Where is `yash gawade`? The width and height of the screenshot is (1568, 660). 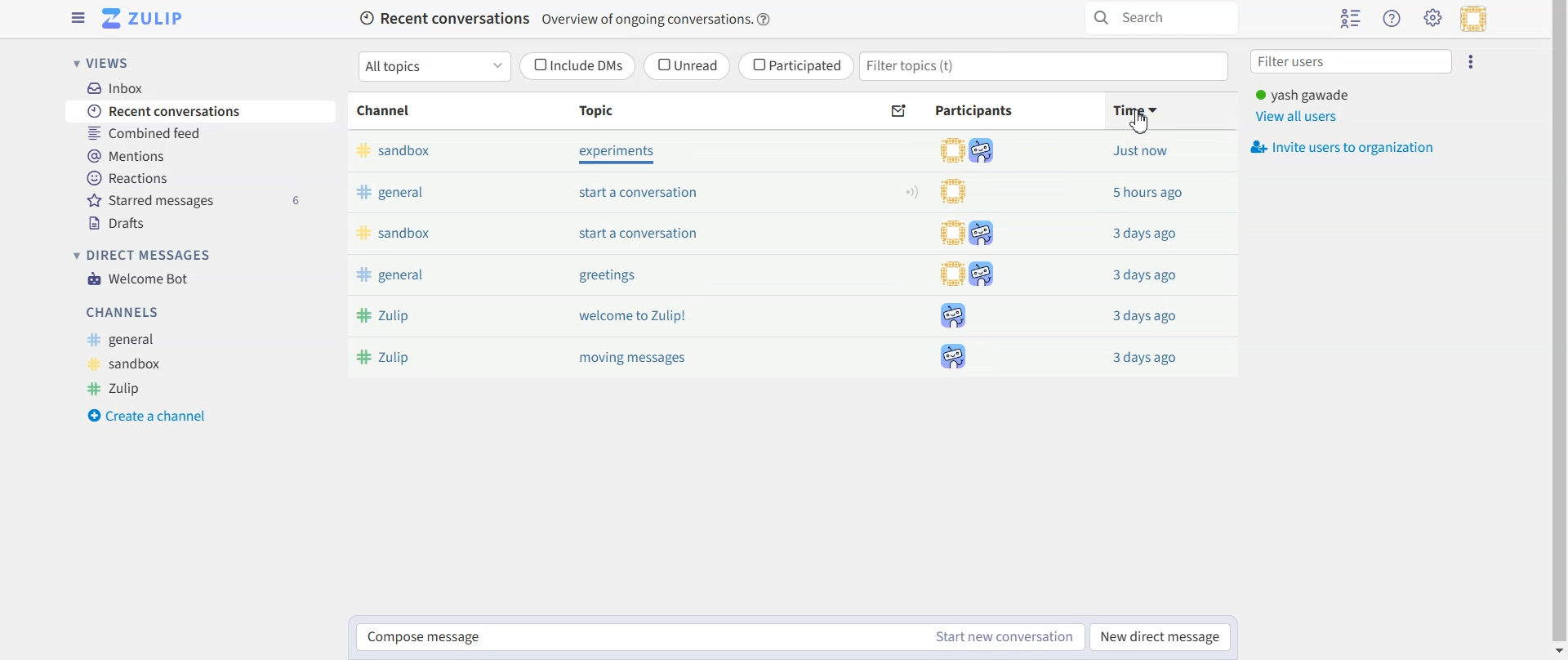
yash gawade is located at coordinates (1305, 96).